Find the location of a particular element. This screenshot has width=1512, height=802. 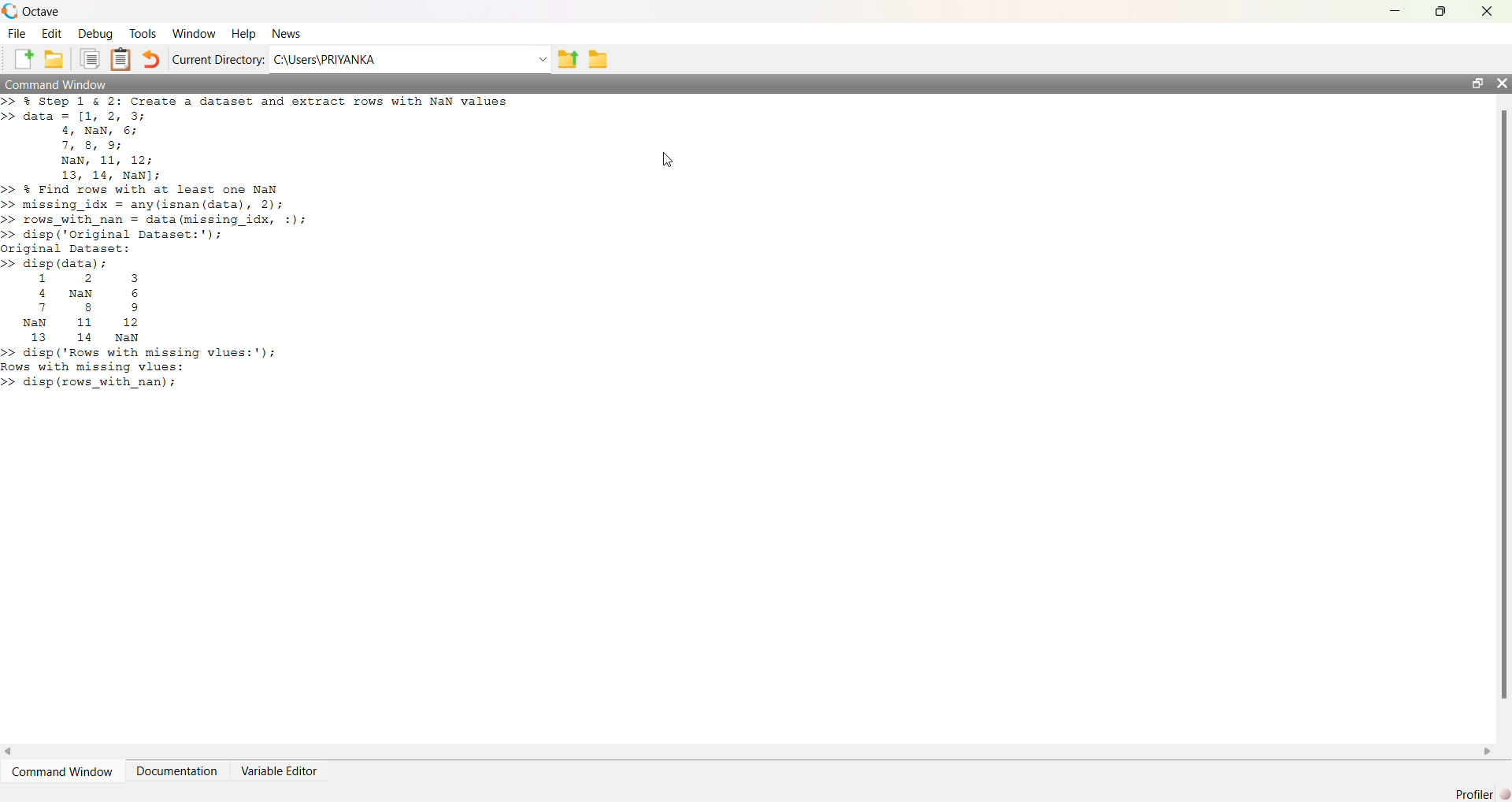

cursor is located at coordinates (669, 160).